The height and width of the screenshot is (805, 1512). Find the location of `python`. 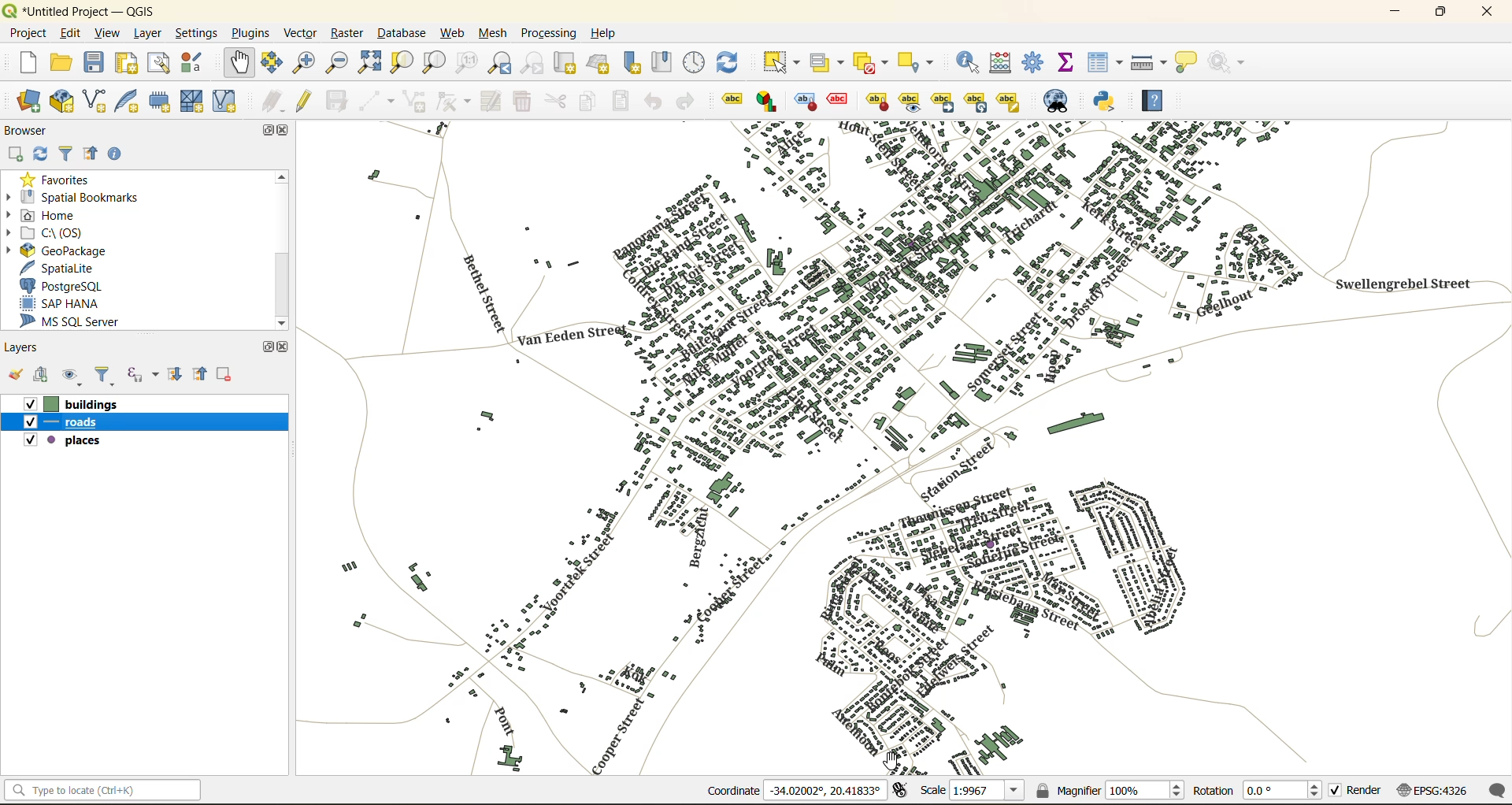

python is located at coordinates (1106, 97).